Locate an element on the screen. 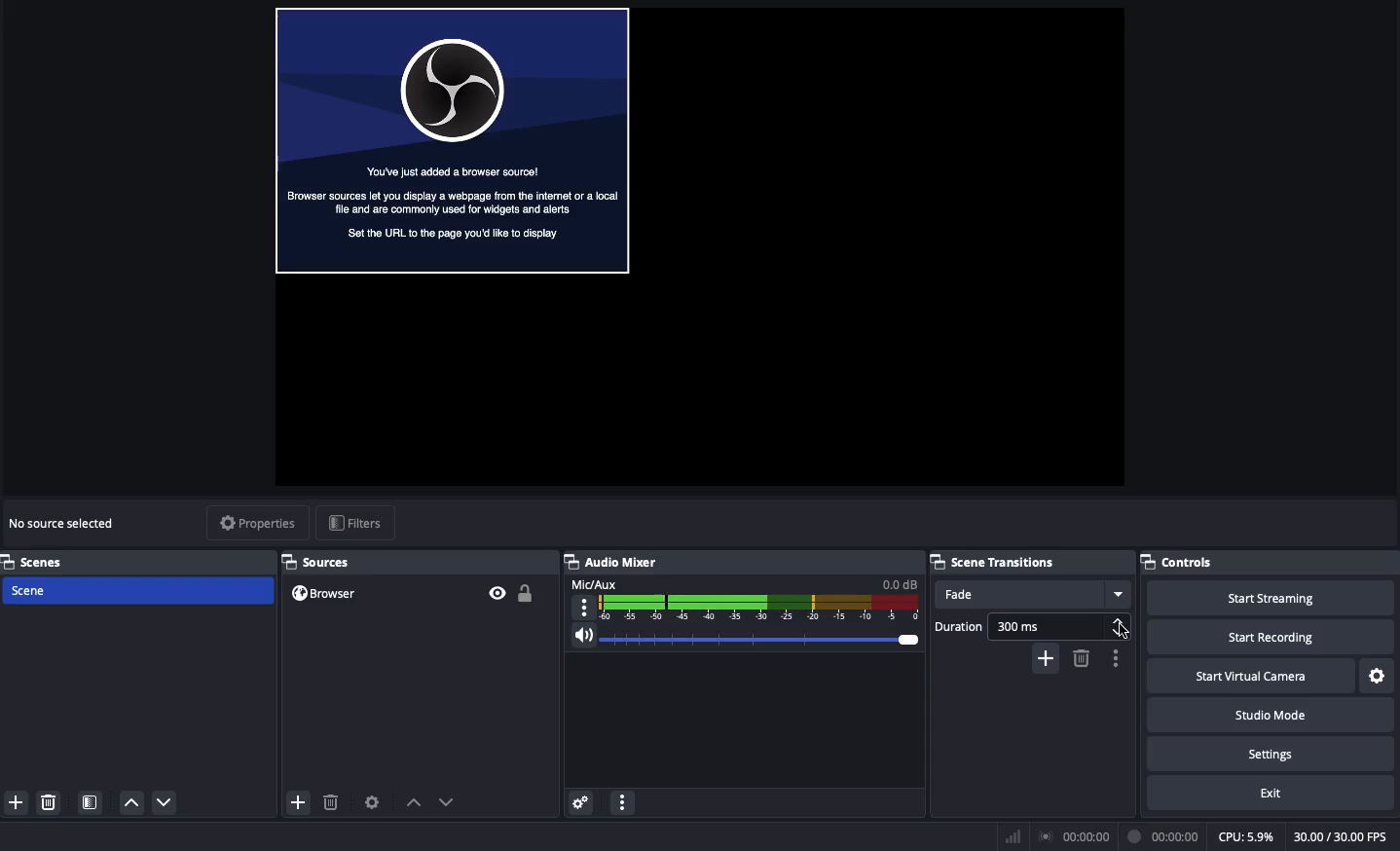 The image size is (1400, 851). move down is located at coordinates (453, 801).